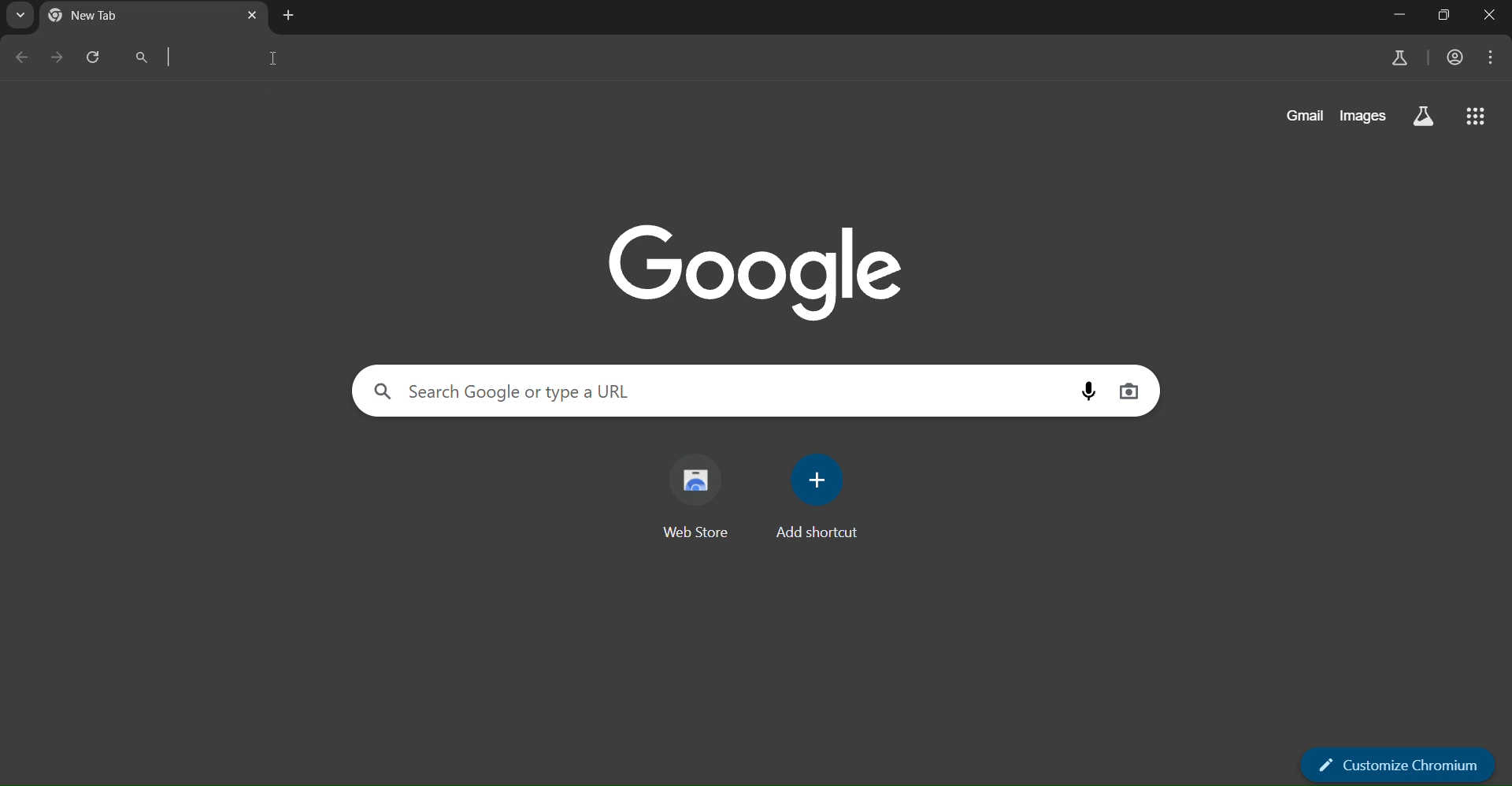 Image resolution: width=1512 pixels, height=786 pixels. What do you see at coordinates (1399, 766) in the screenshot?
I see `customize toolbar` at bounding box center [1399, 766].